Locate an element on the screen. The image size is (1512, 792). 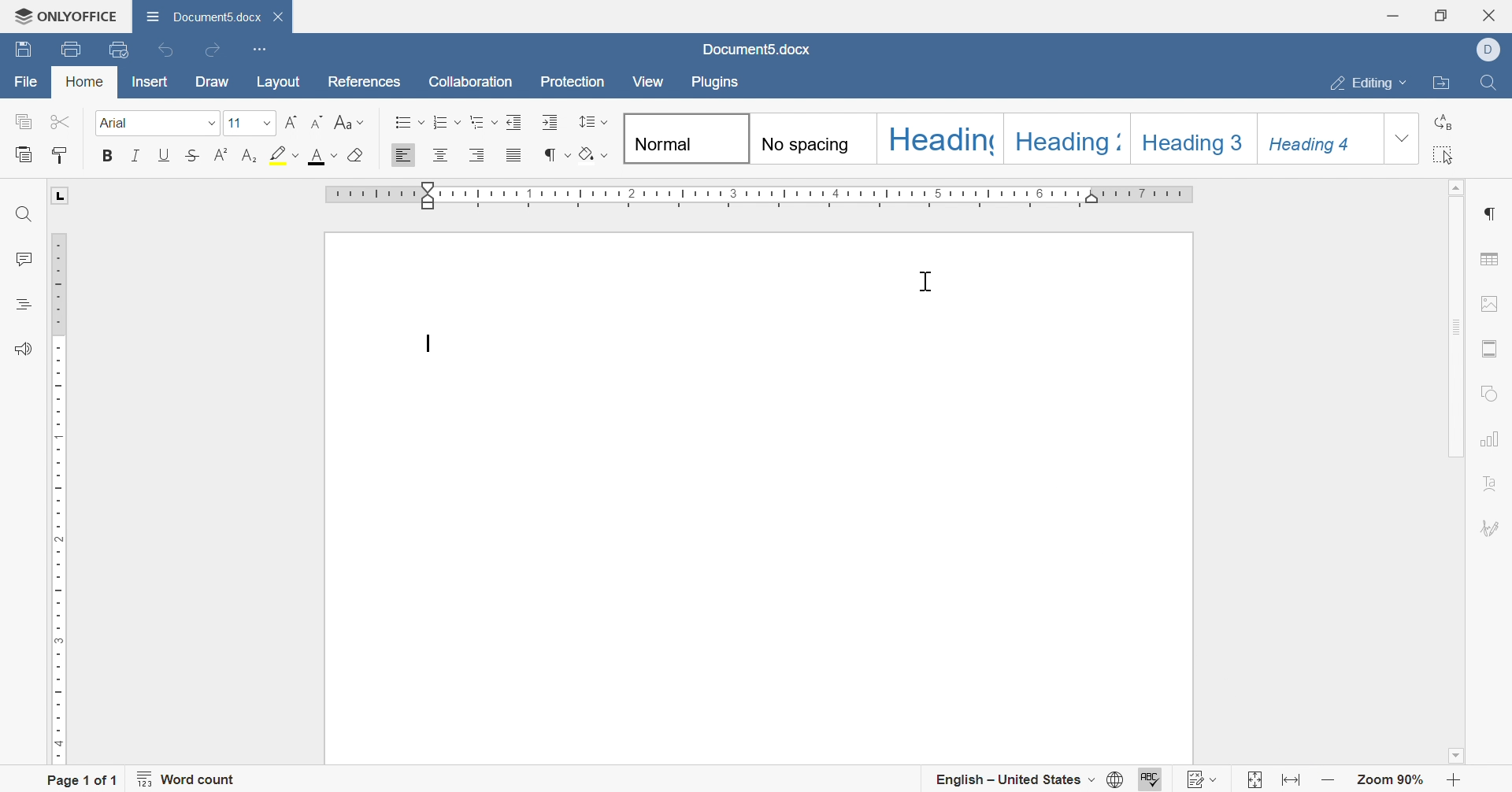
Heading 1 is located at coordinates (936, 138).